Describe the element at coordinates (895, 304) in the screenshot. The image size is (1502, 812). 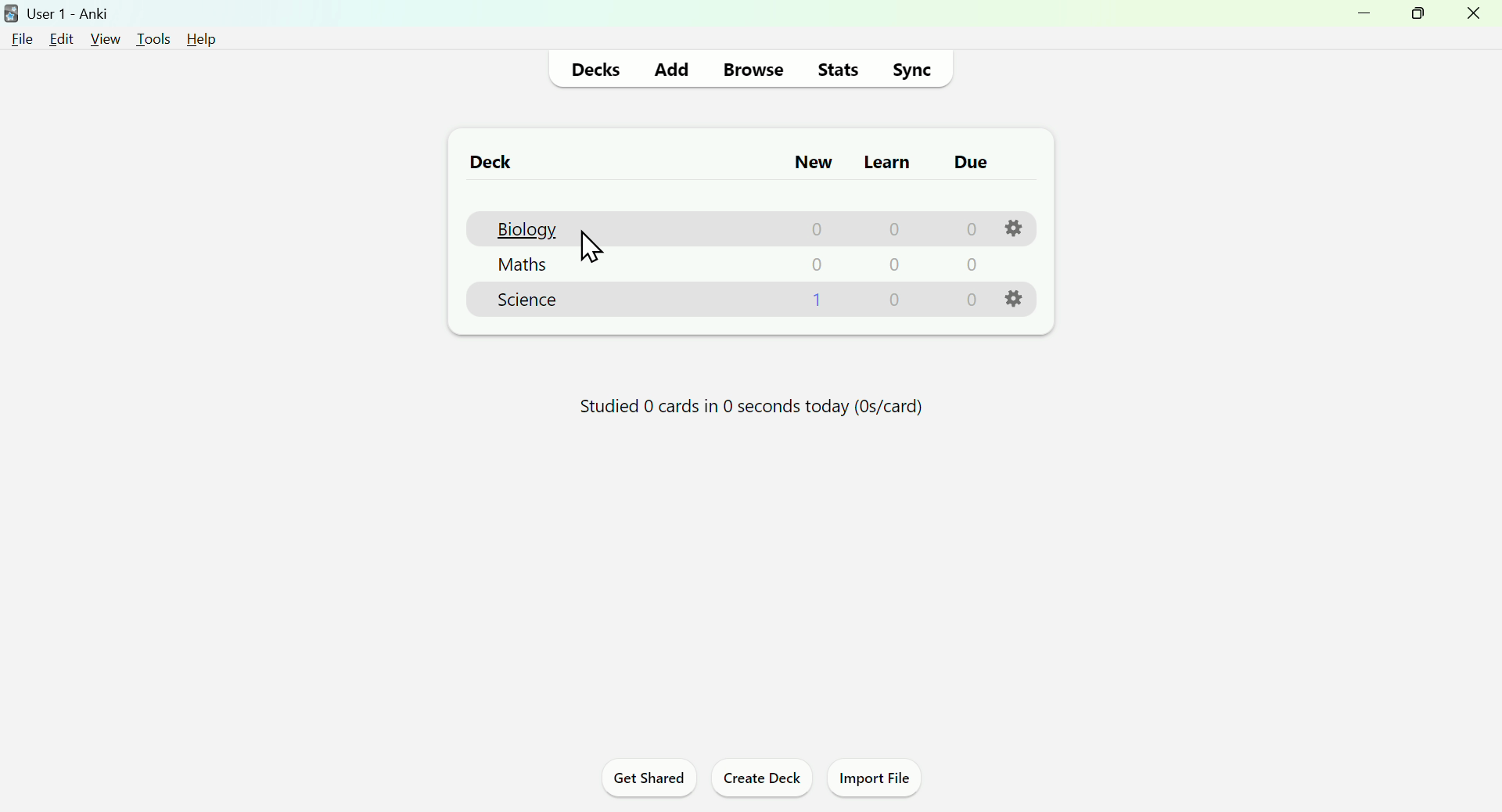
I see `0` at that location.